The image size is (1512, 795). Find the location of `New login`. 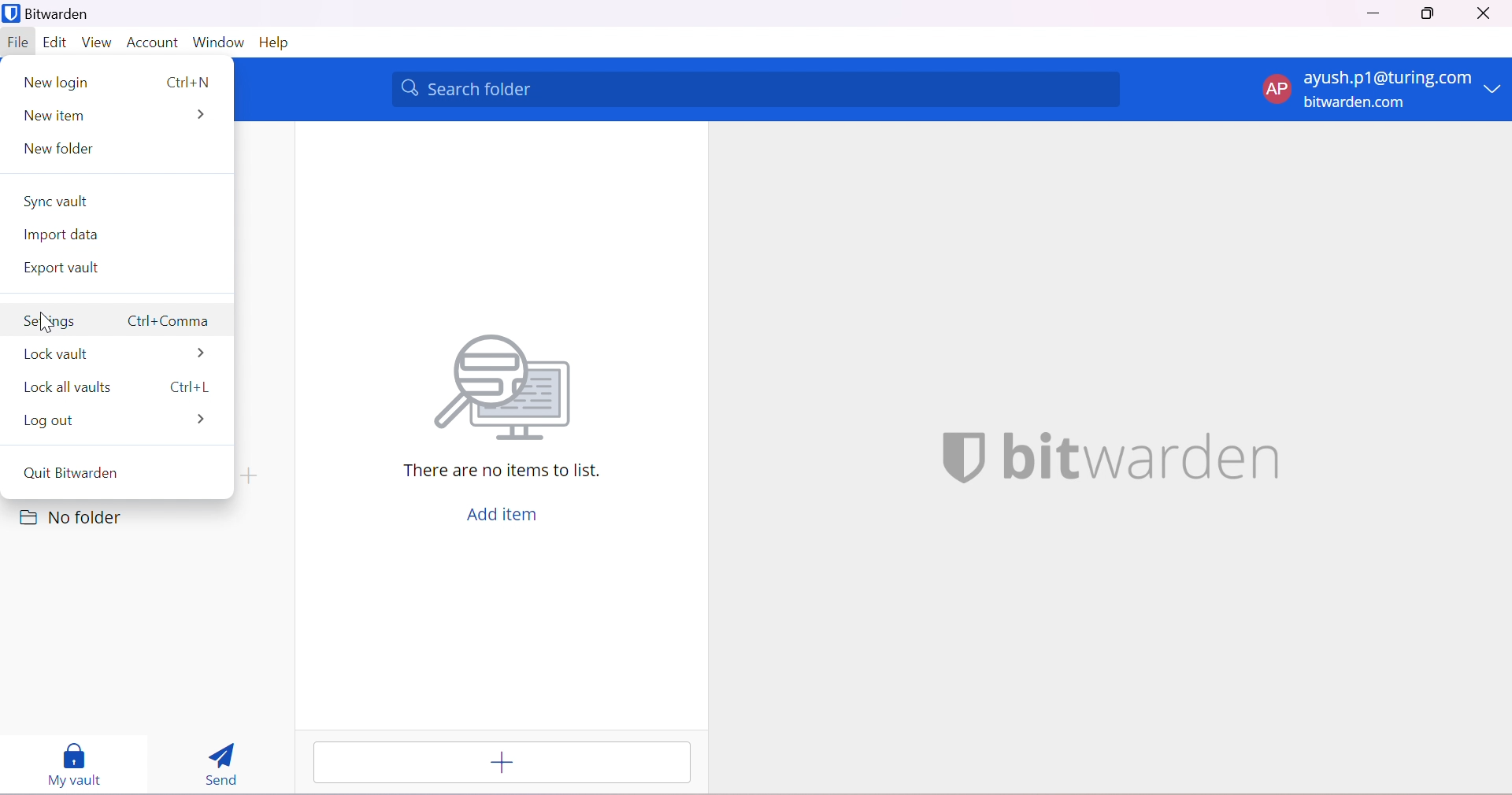

New login is located at coordinates (58, 80).